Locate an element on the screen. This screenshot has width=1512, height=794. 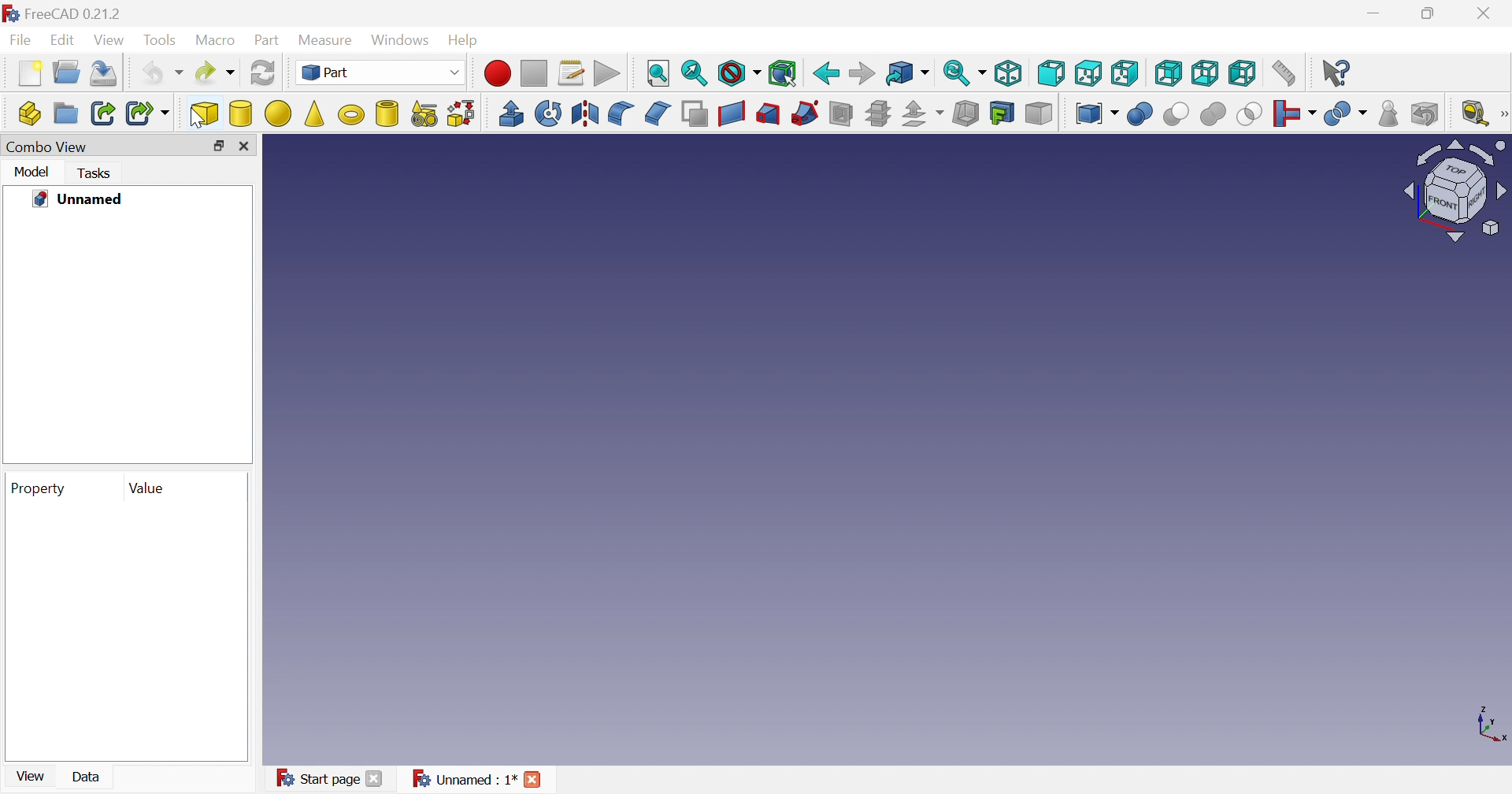
Measure distance is located at coordinates (1284, 74).